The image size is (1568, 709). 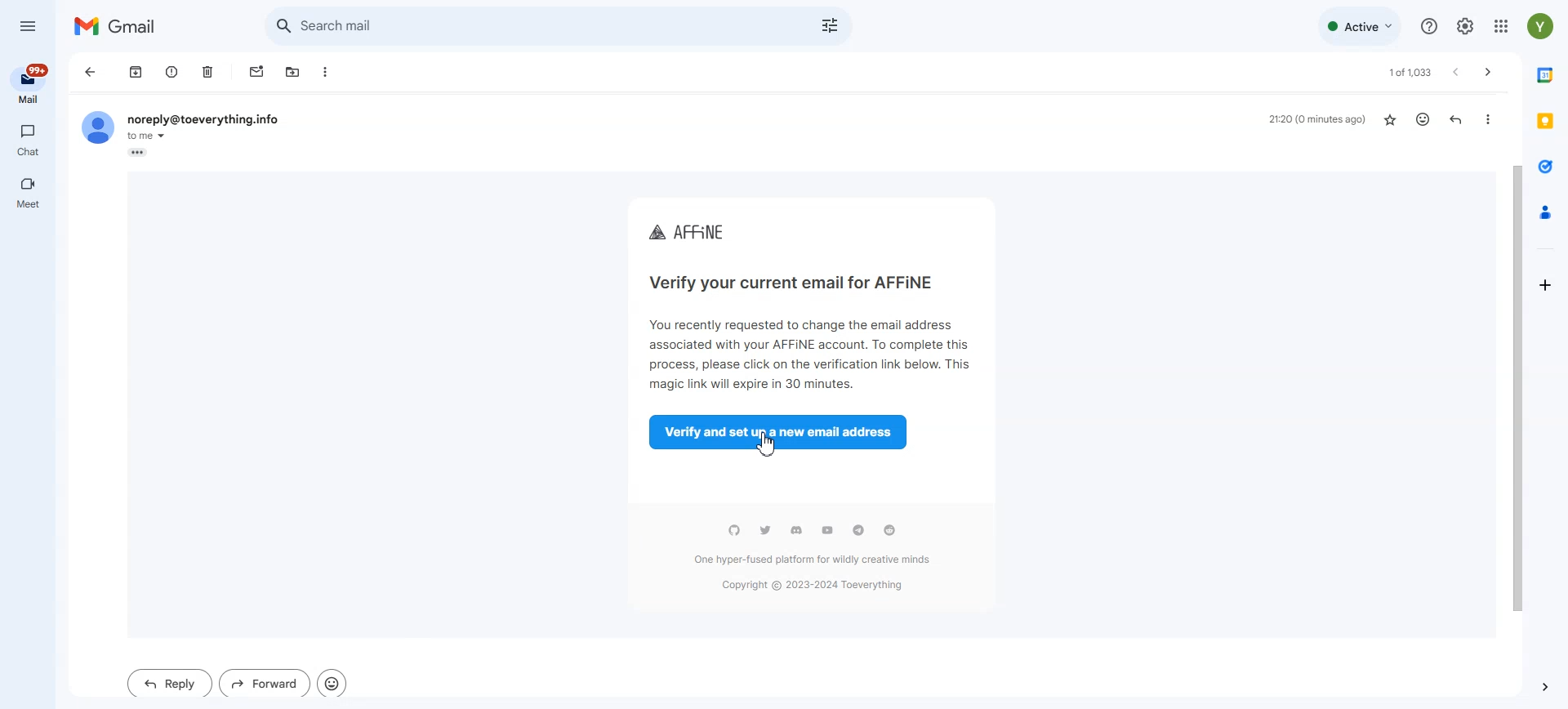 I want to click on More, so click(x=326, y=73).